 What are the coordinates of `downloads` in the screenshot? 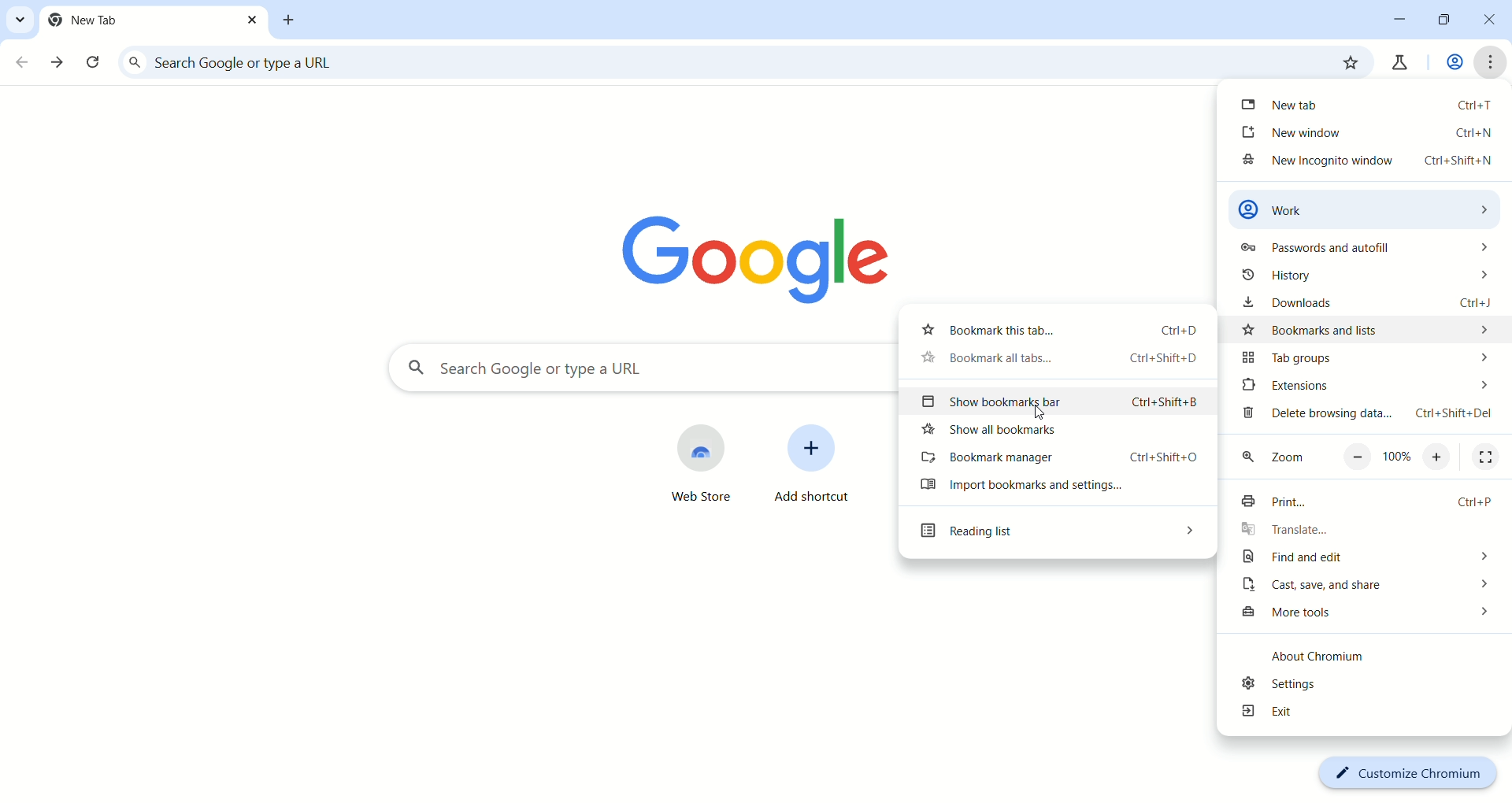 It's located at (1372, 303).